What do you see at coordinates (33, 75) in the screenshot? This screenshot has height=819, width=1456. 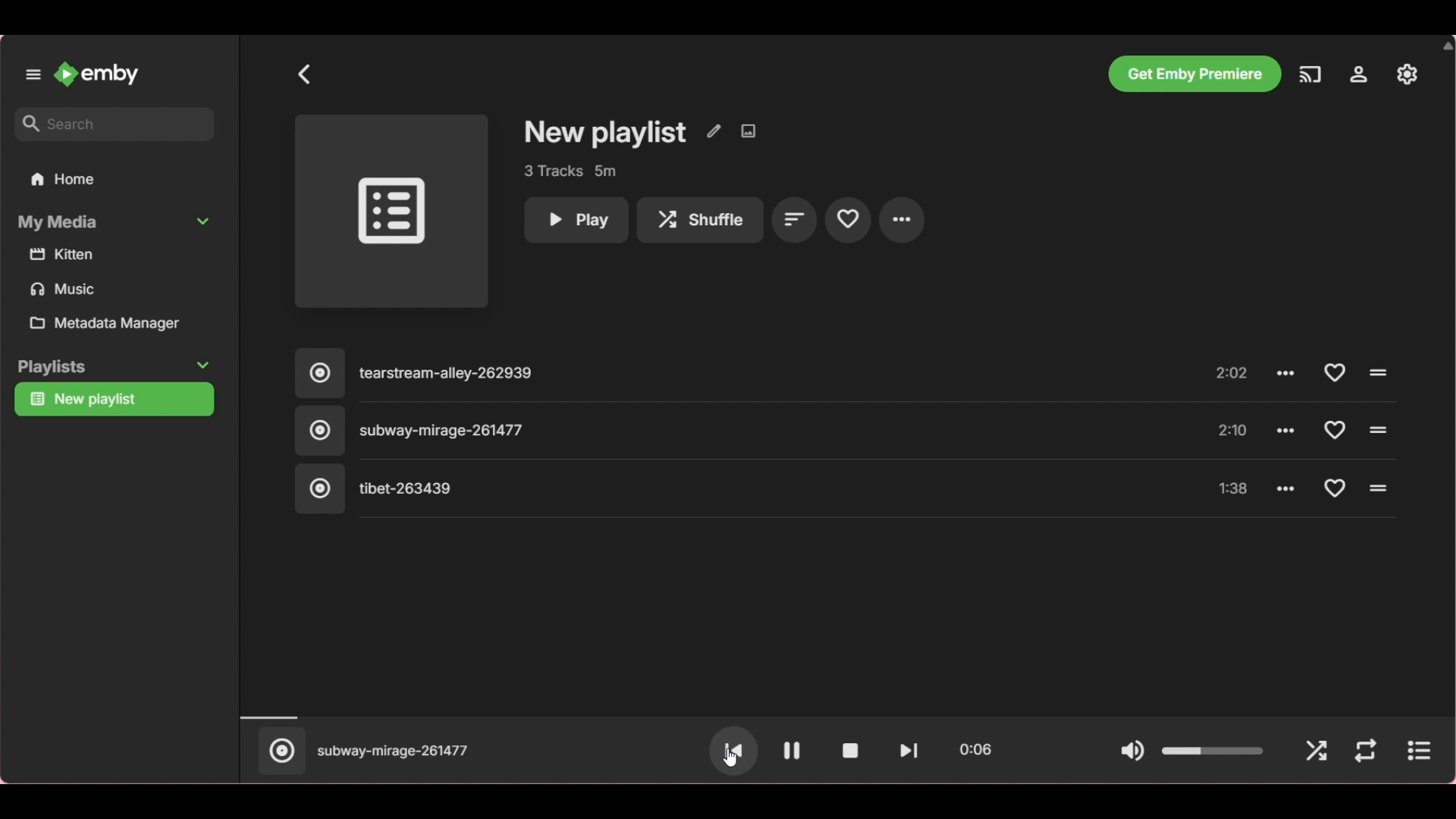 I see `Unpin left panel` at bounding box center [33, 75].